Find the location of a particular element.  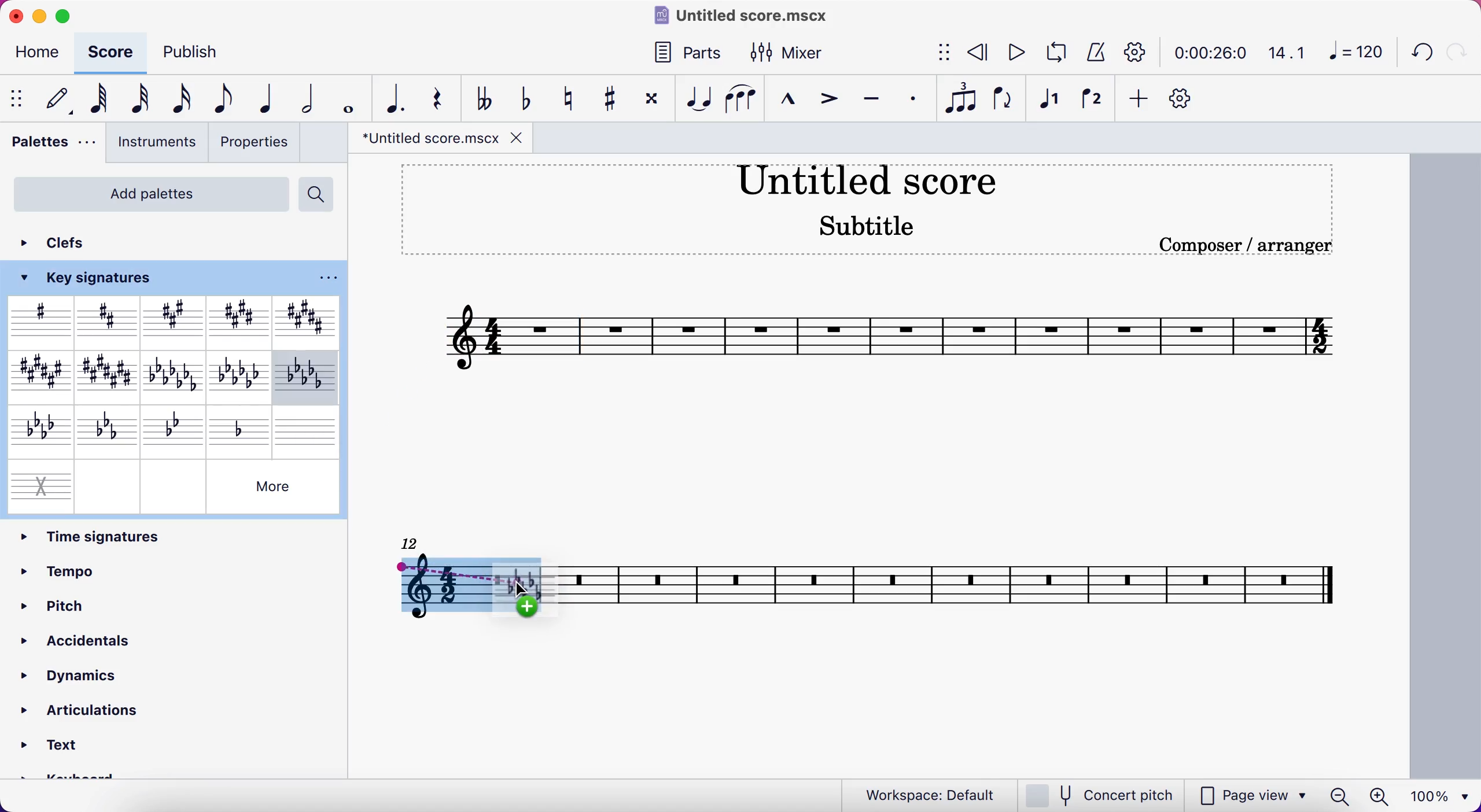

voice 2 is located at coordinates (1095, 102).